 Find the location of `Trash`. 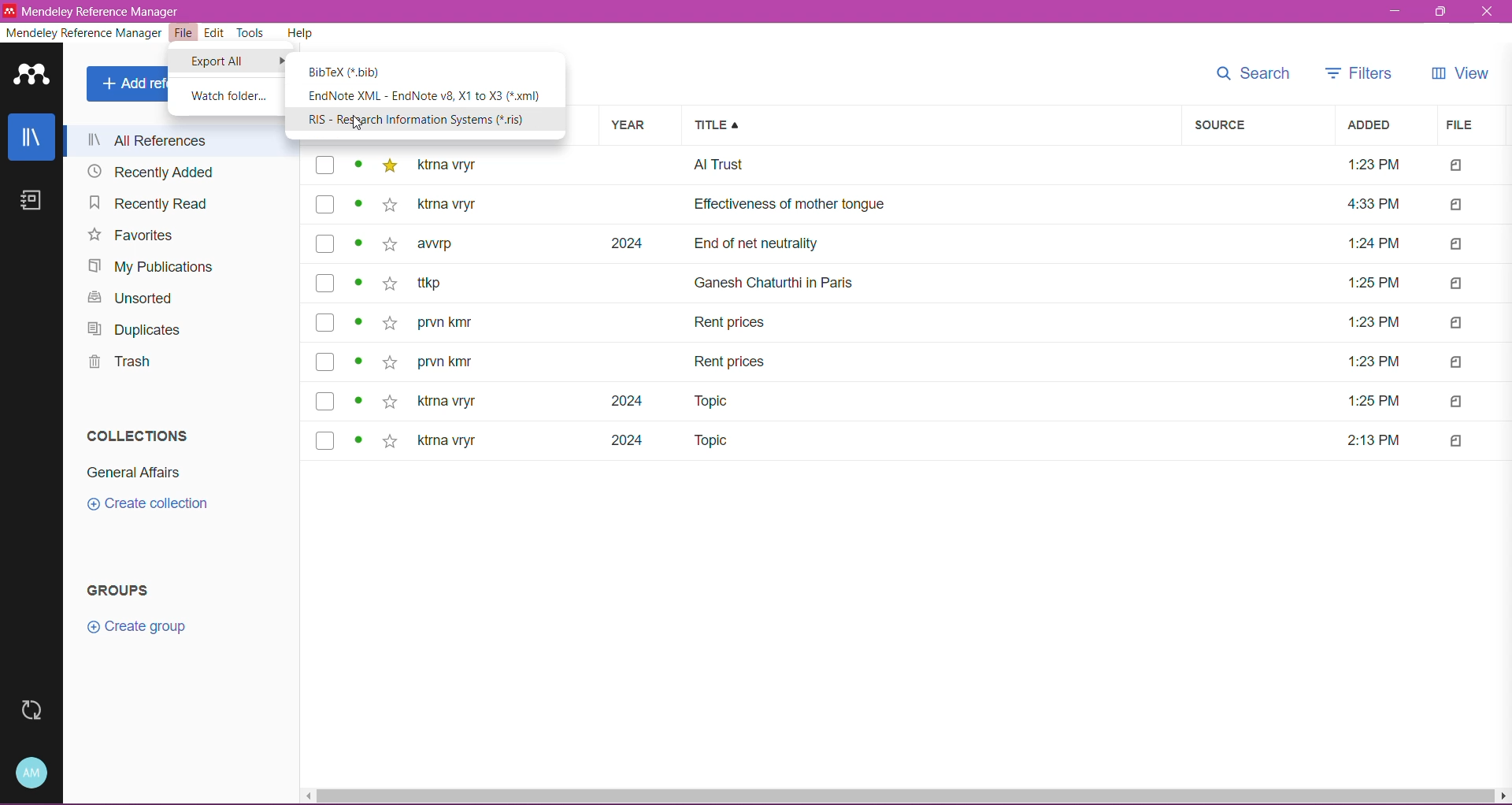

Trash is located at coordinates (120, 365).